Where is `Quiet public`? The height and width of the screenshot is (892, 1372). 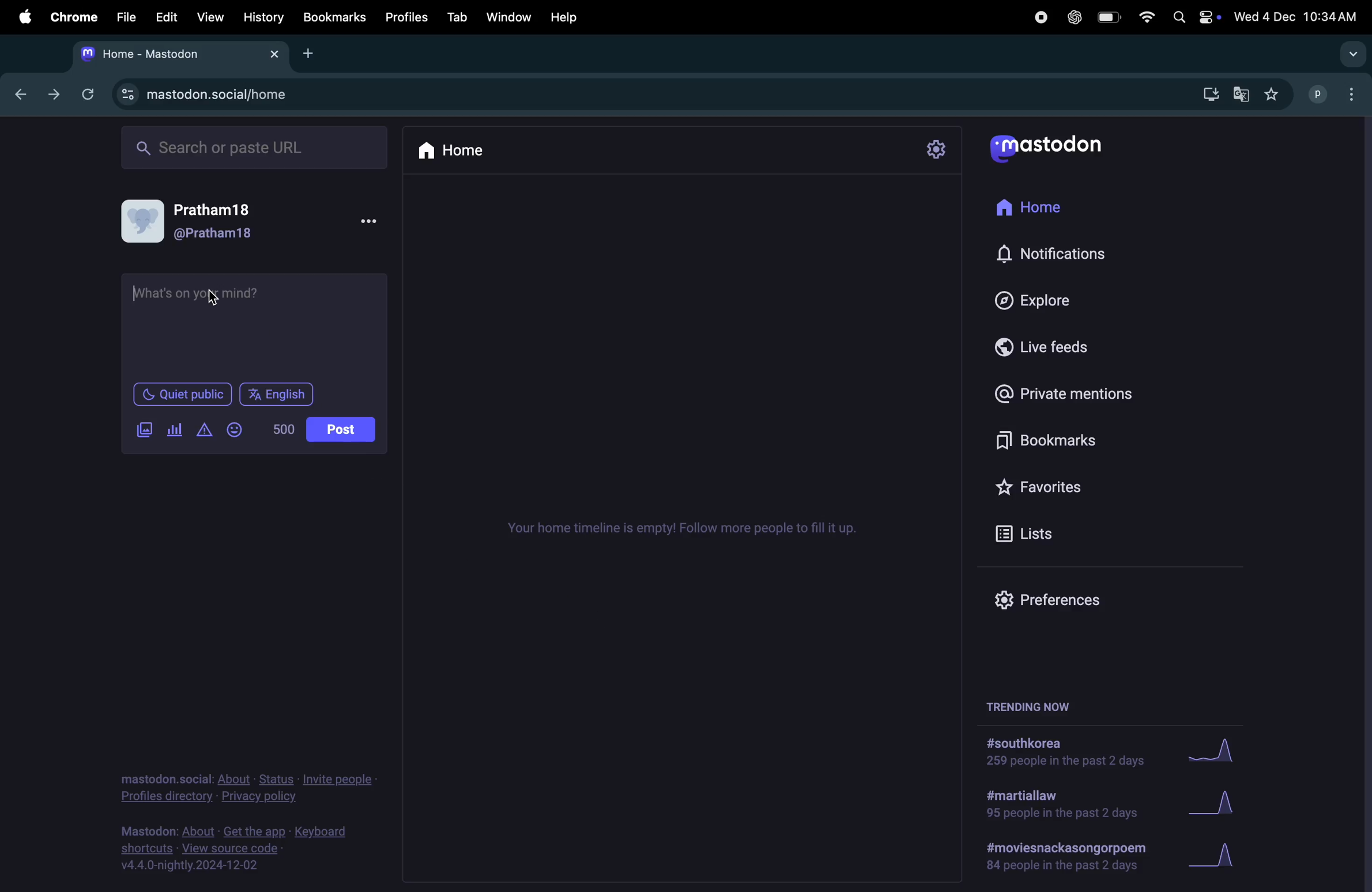
Quiet public is located at coordinates (184, 396).